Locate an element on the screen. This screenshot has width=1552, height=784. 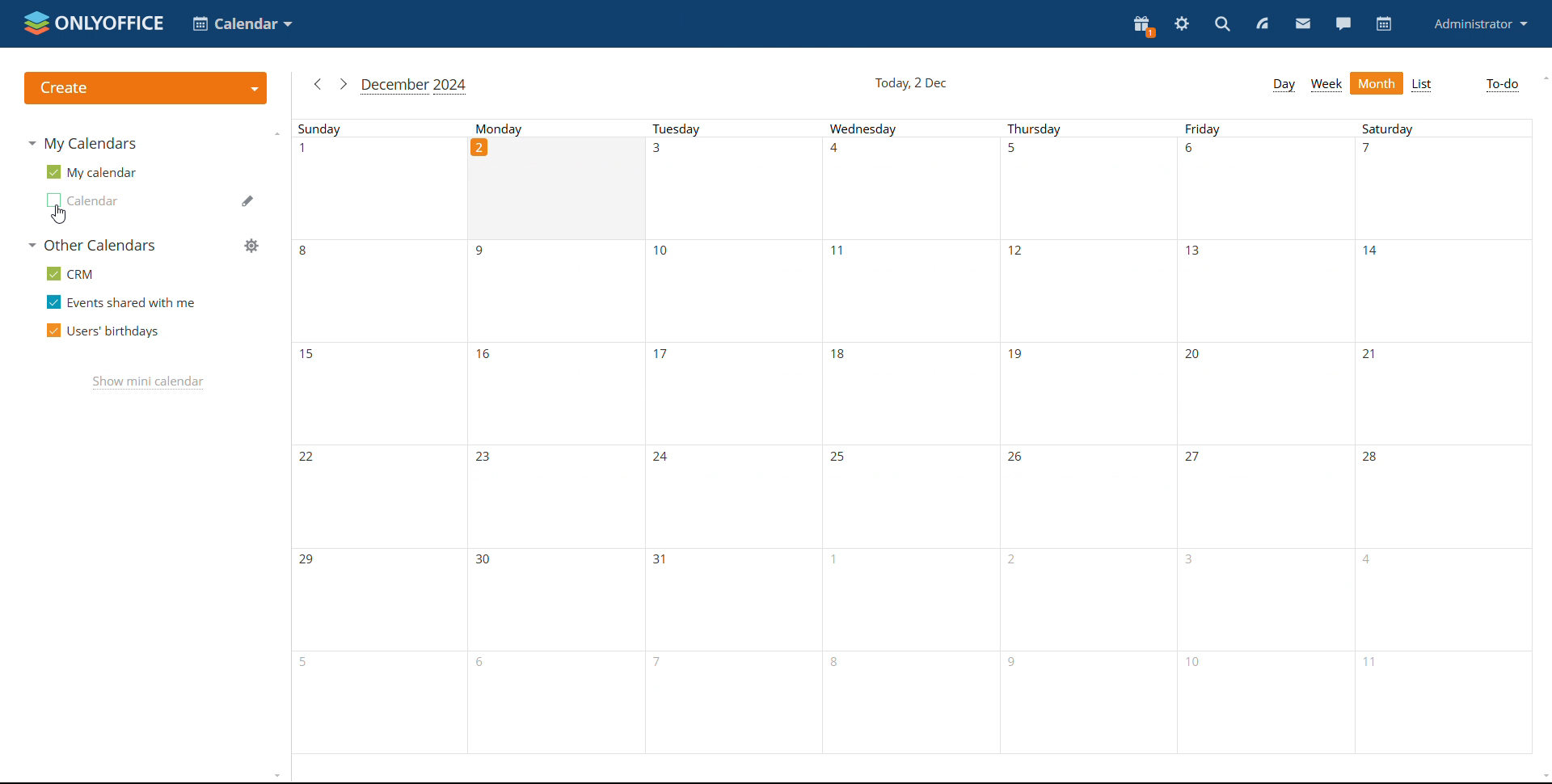
7 is located at coordinates (1440, 188).